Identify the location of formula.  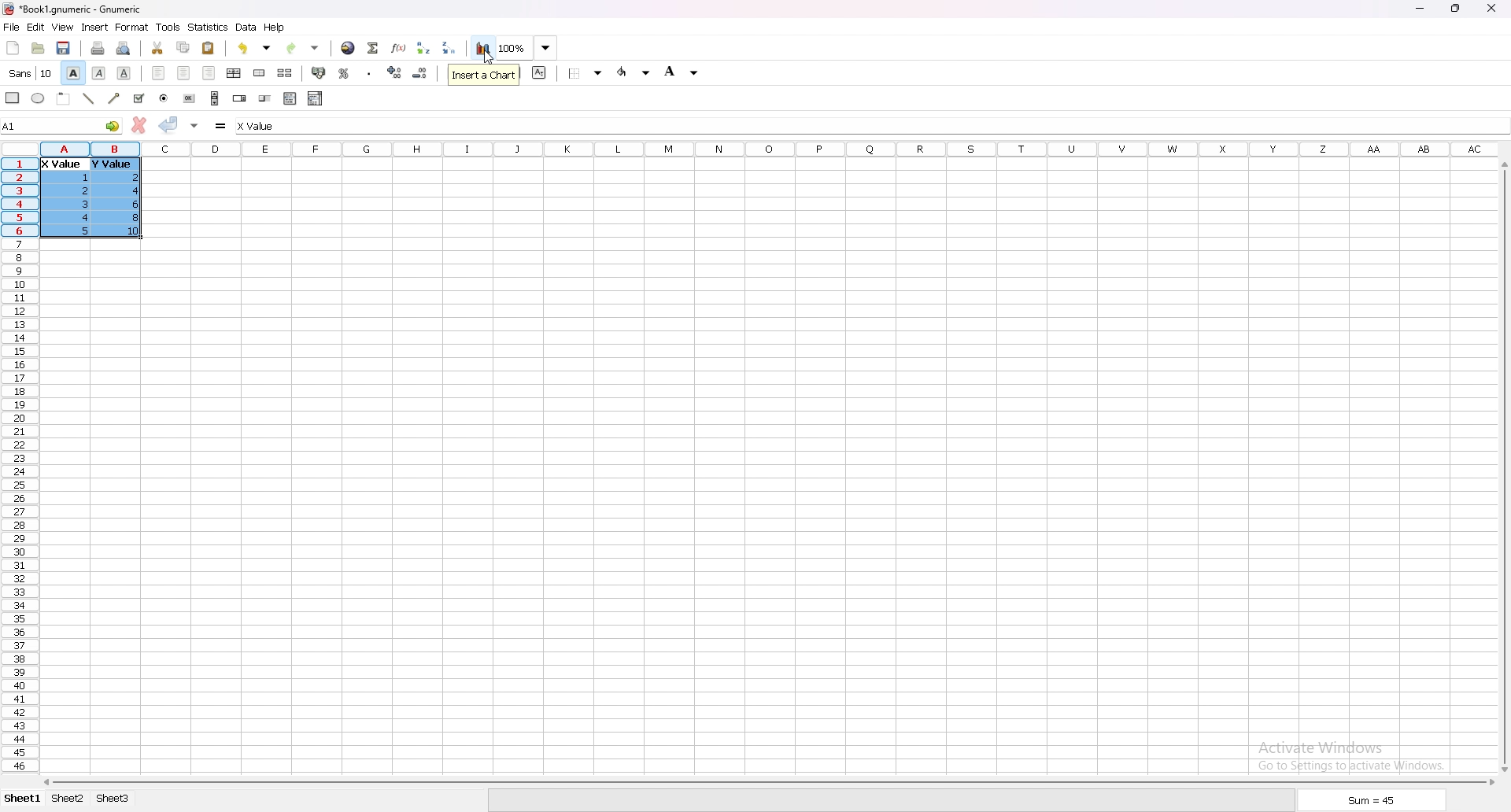
(222, 125).